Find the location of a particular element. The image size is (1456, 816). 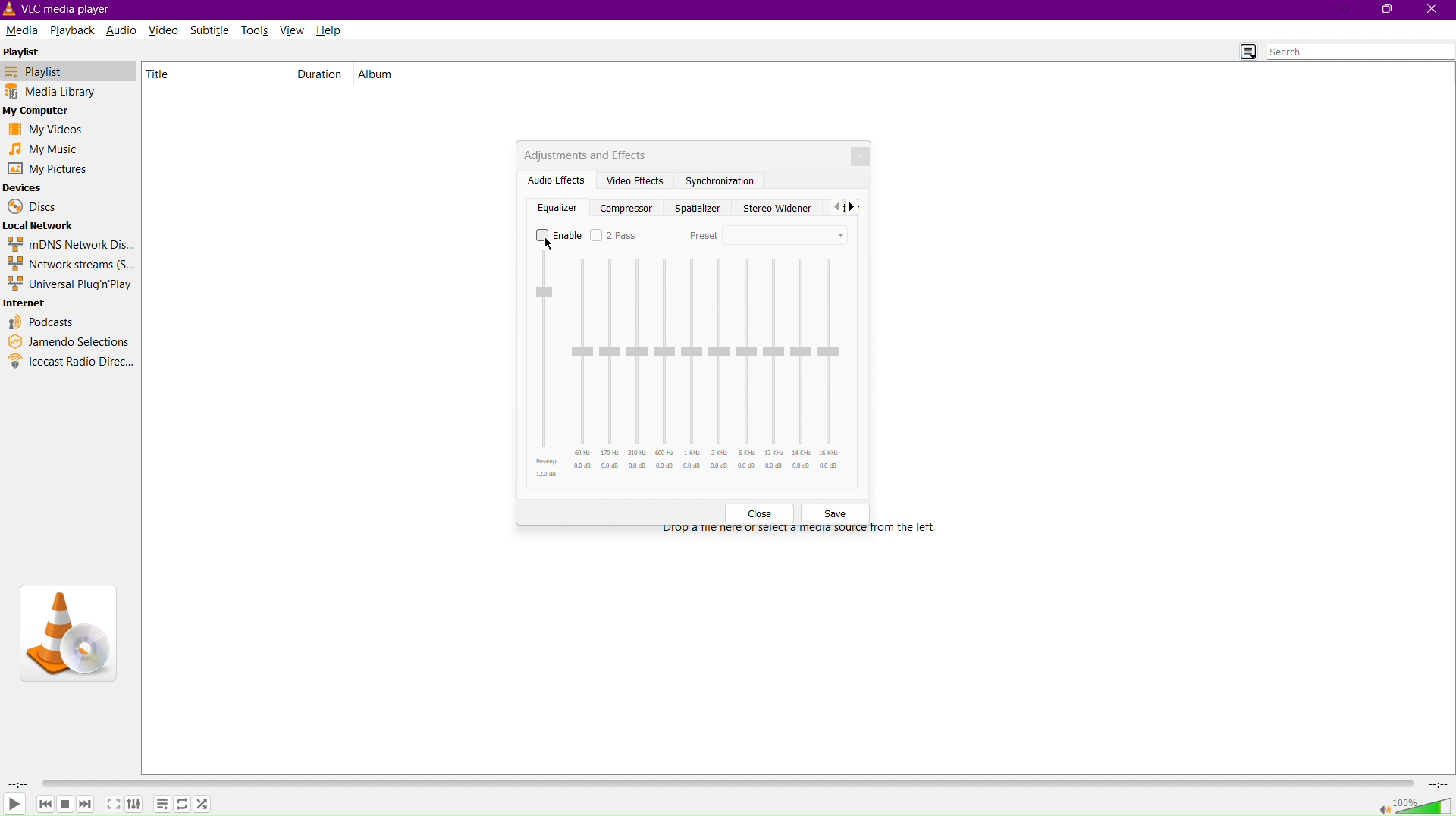

Preamp is located at coordinates (547, 366).